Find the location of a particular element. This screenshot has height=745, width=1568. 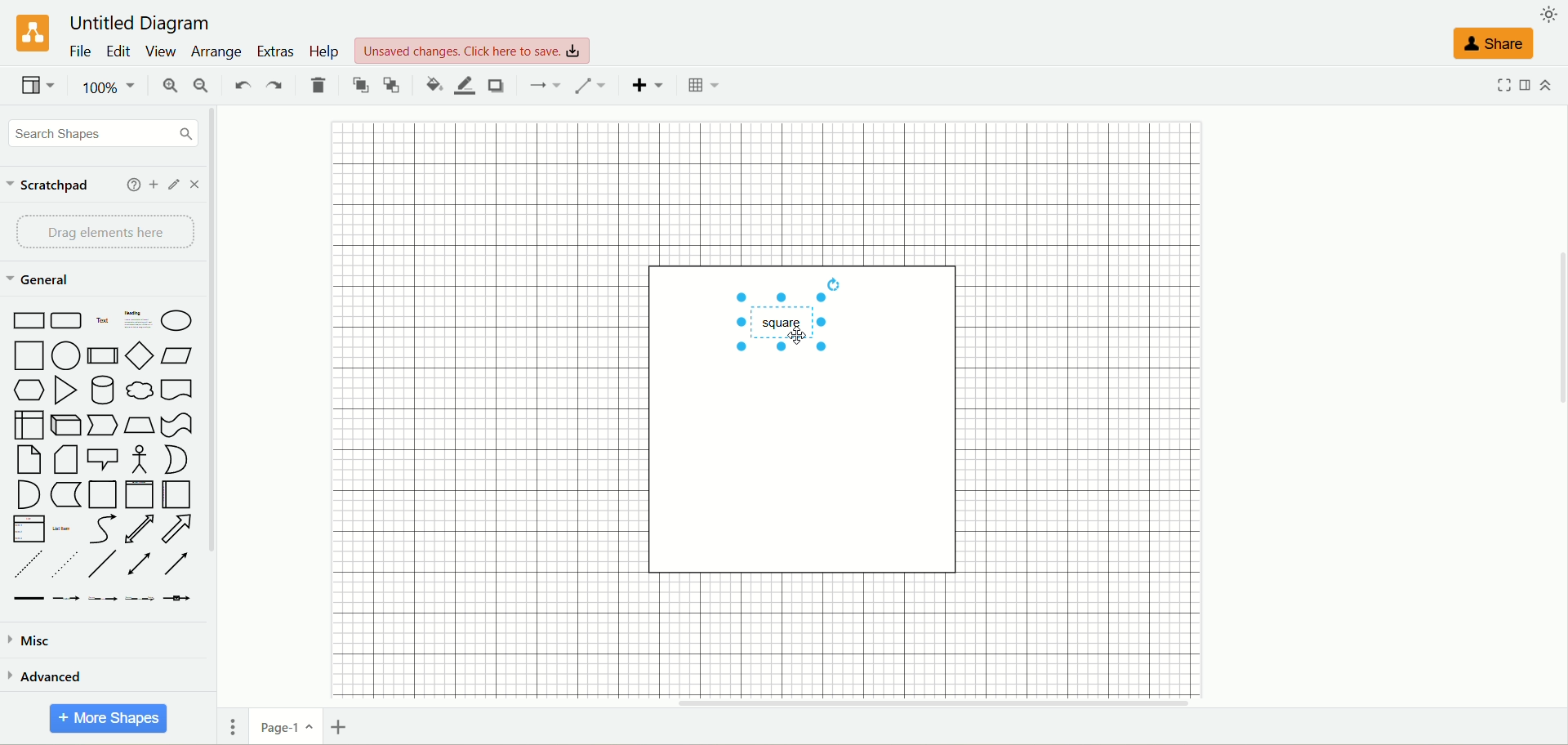

help is located at coordinates (130, 183).